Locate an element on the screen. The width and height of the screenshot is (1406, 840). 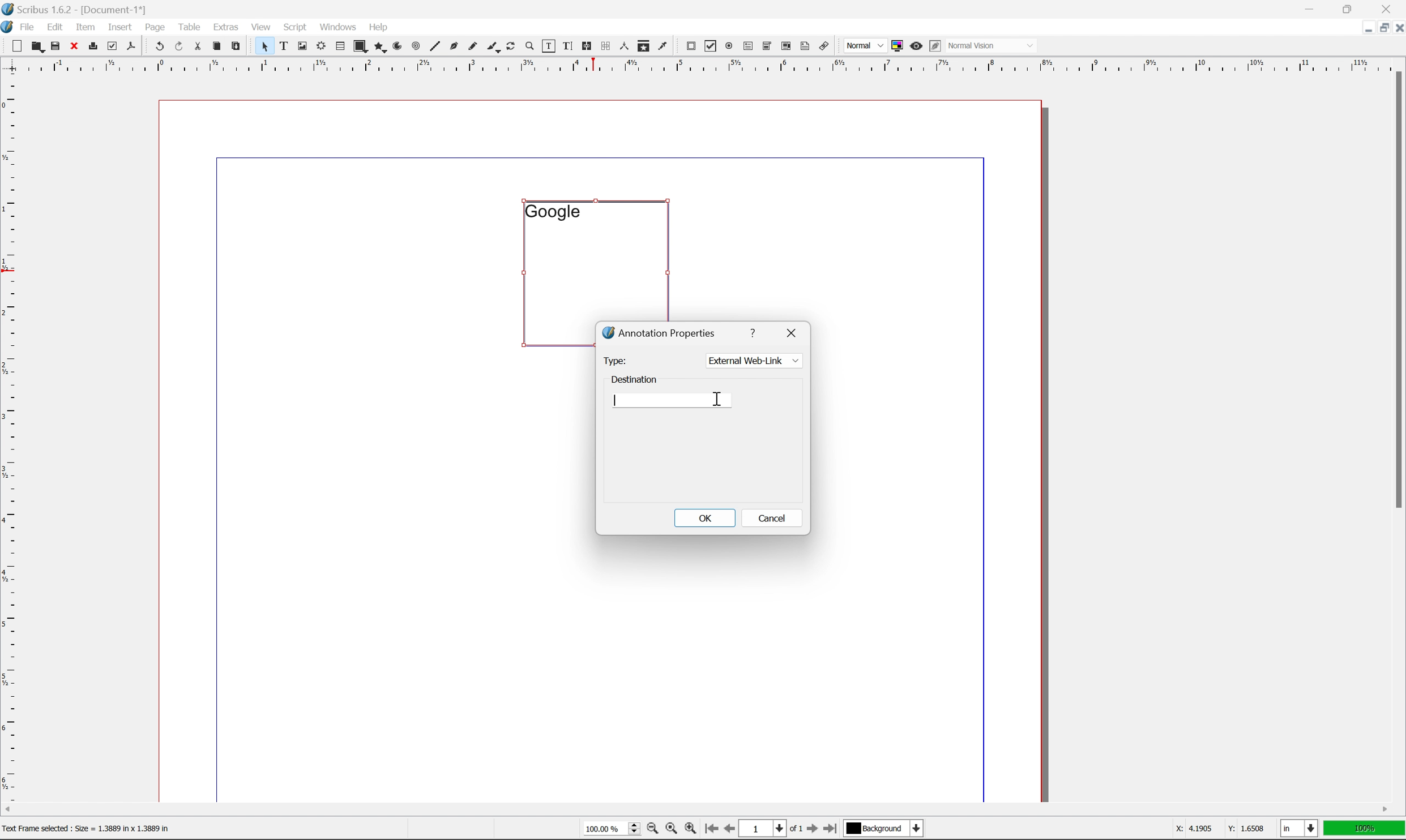
redo is located at coordinates (180, 47).